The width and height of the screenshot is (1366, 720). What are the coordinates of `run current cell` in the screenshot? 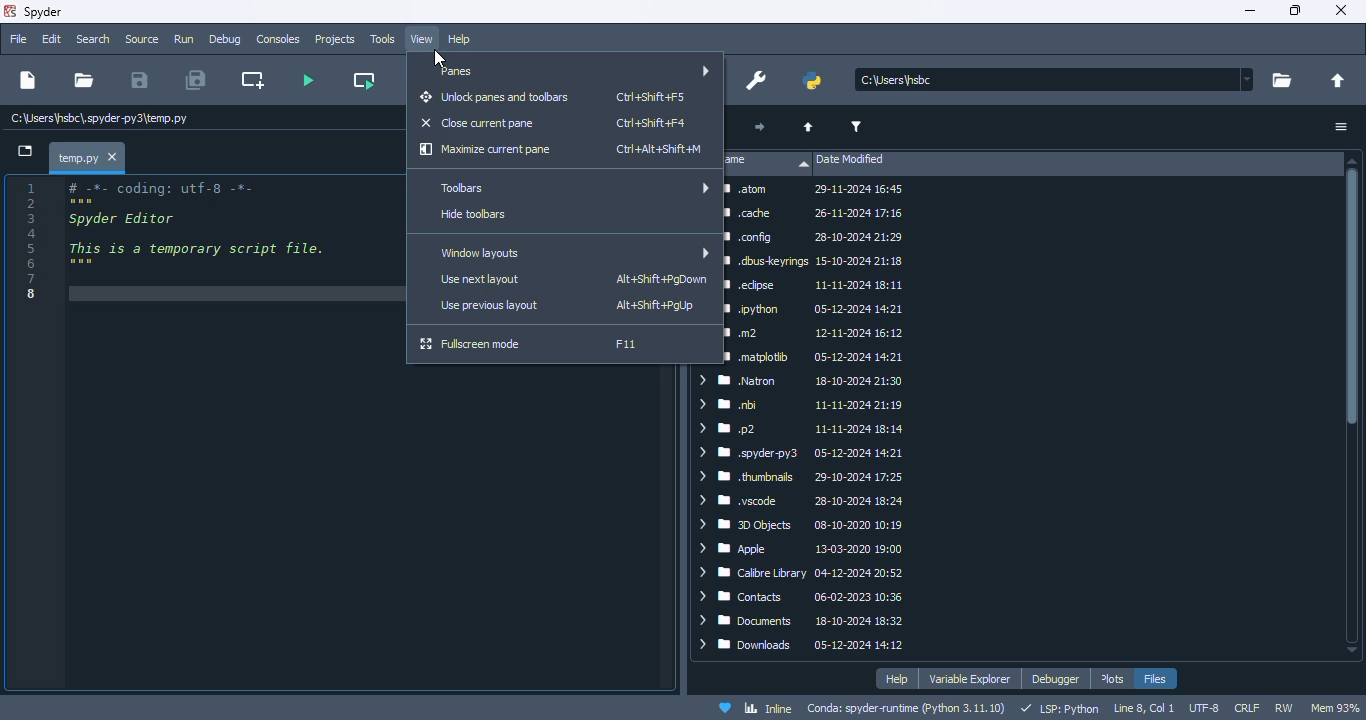 It's located at (365, 80).